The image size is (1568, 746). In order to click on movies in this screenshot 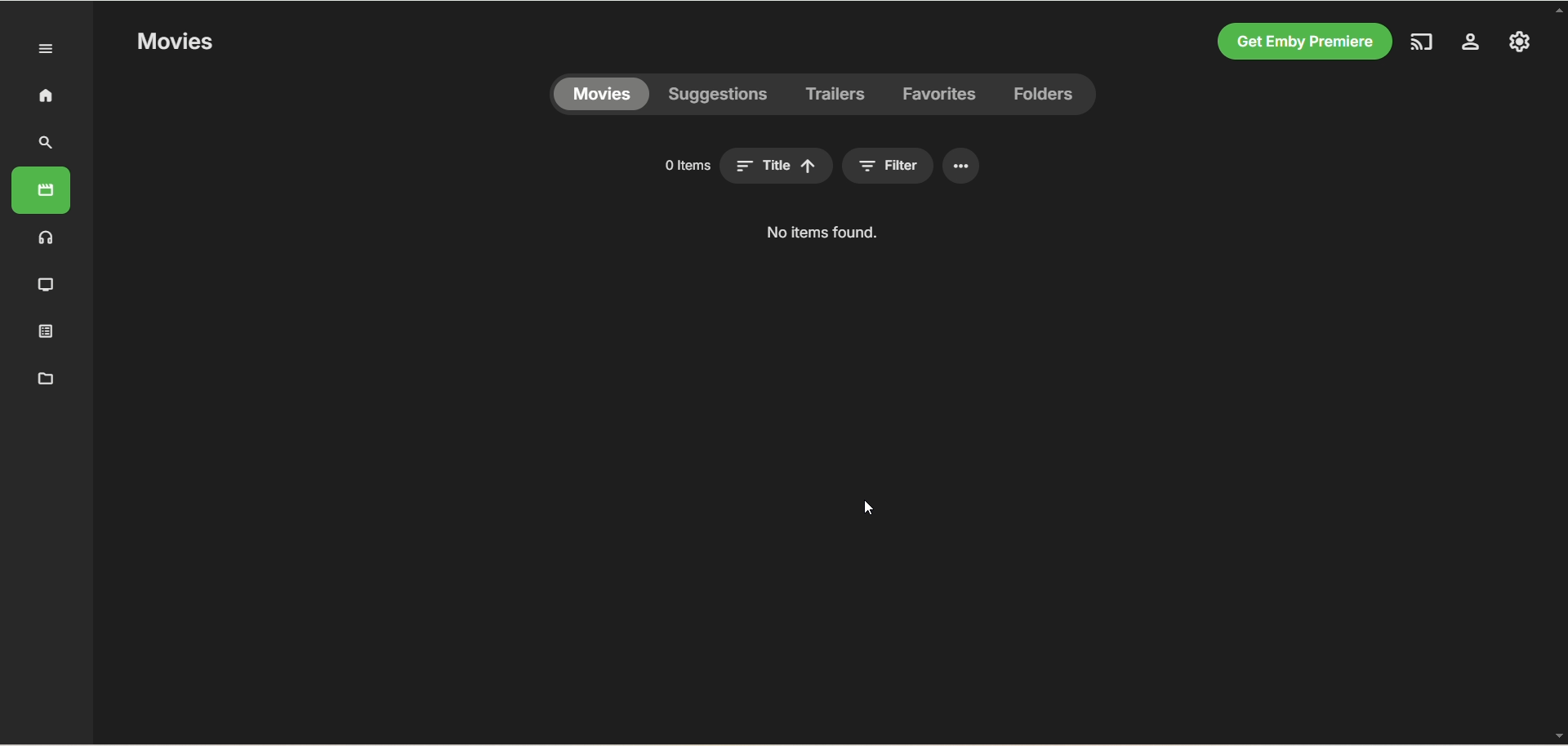, I will do `click(41, 190)`.